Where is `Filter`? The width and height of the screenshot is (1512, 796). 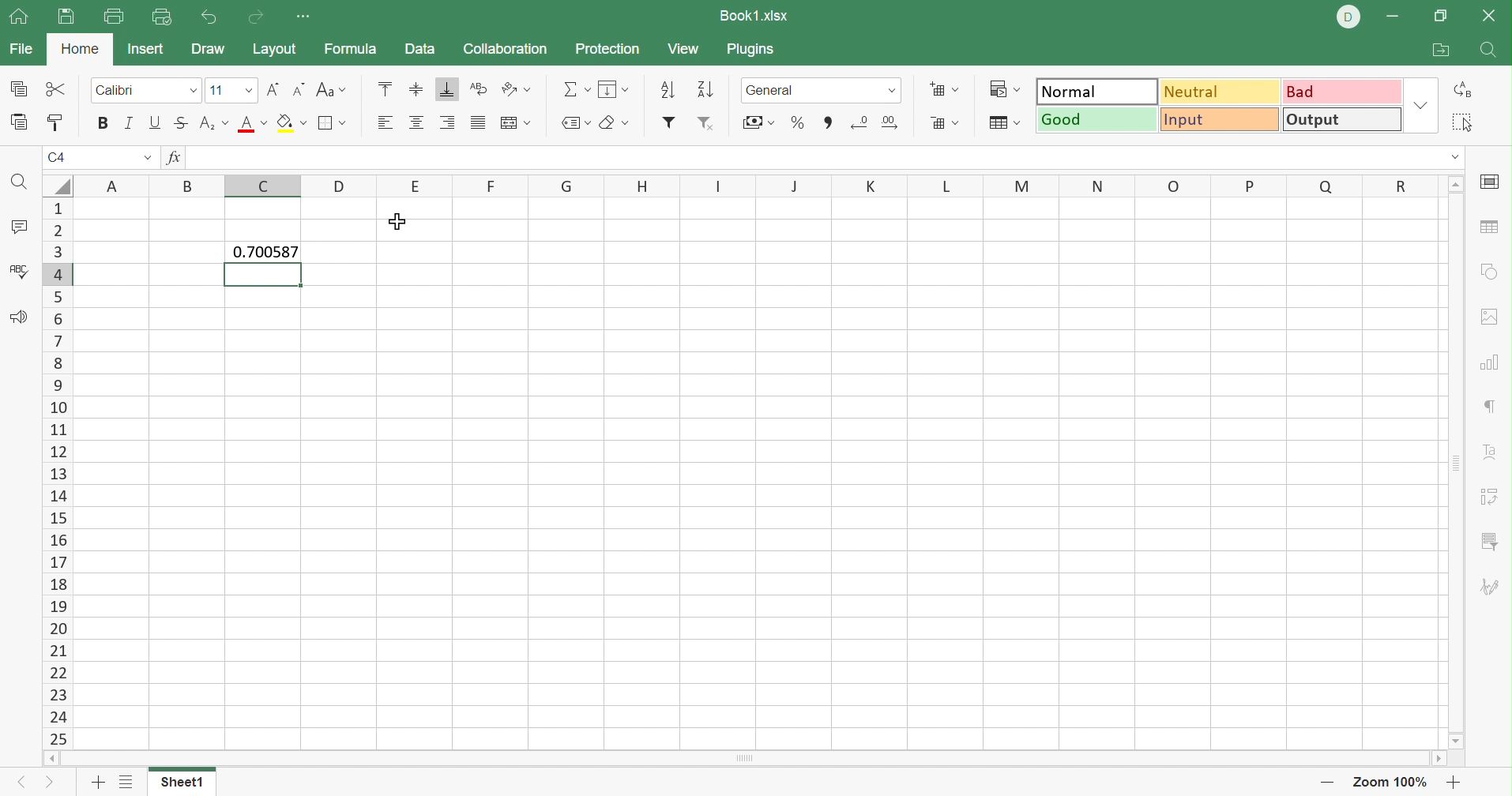
Filter is located at coordinates (671, 124).